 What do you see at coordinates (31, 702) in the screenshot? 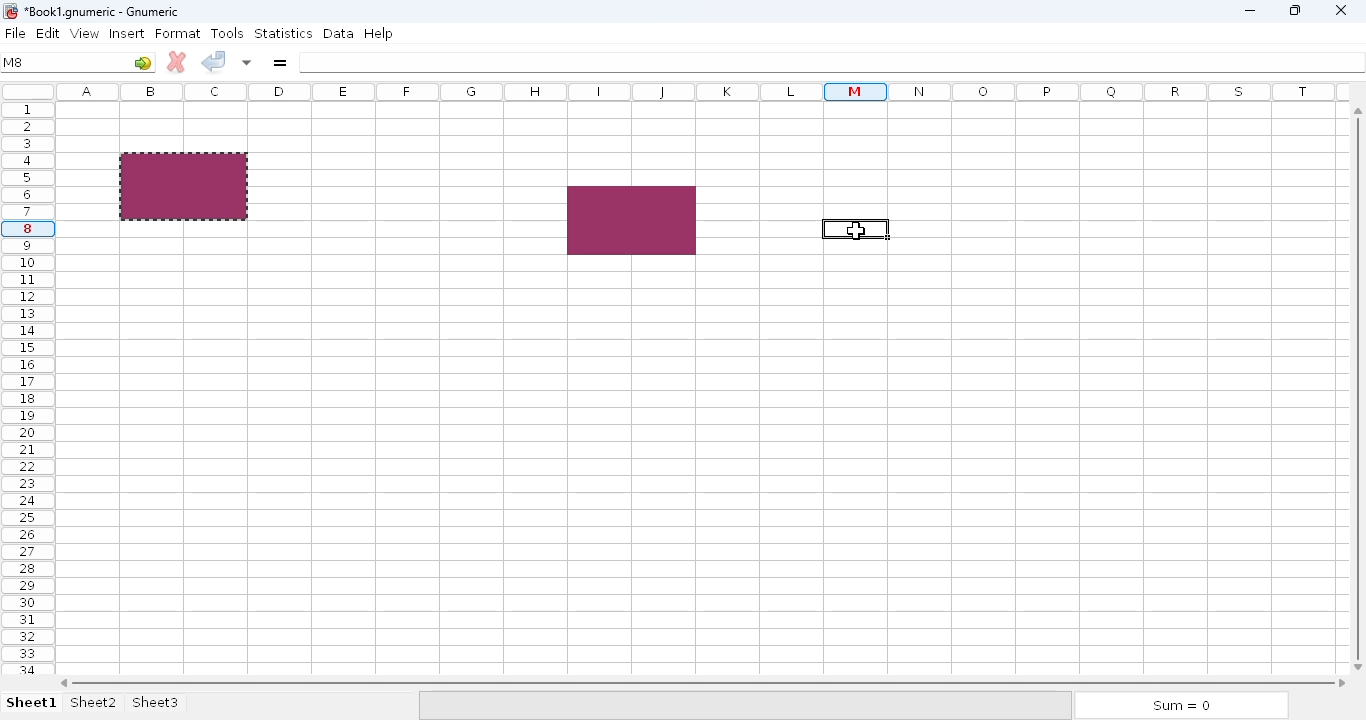
I see `sheet 1` at bounding box center [31, 702].